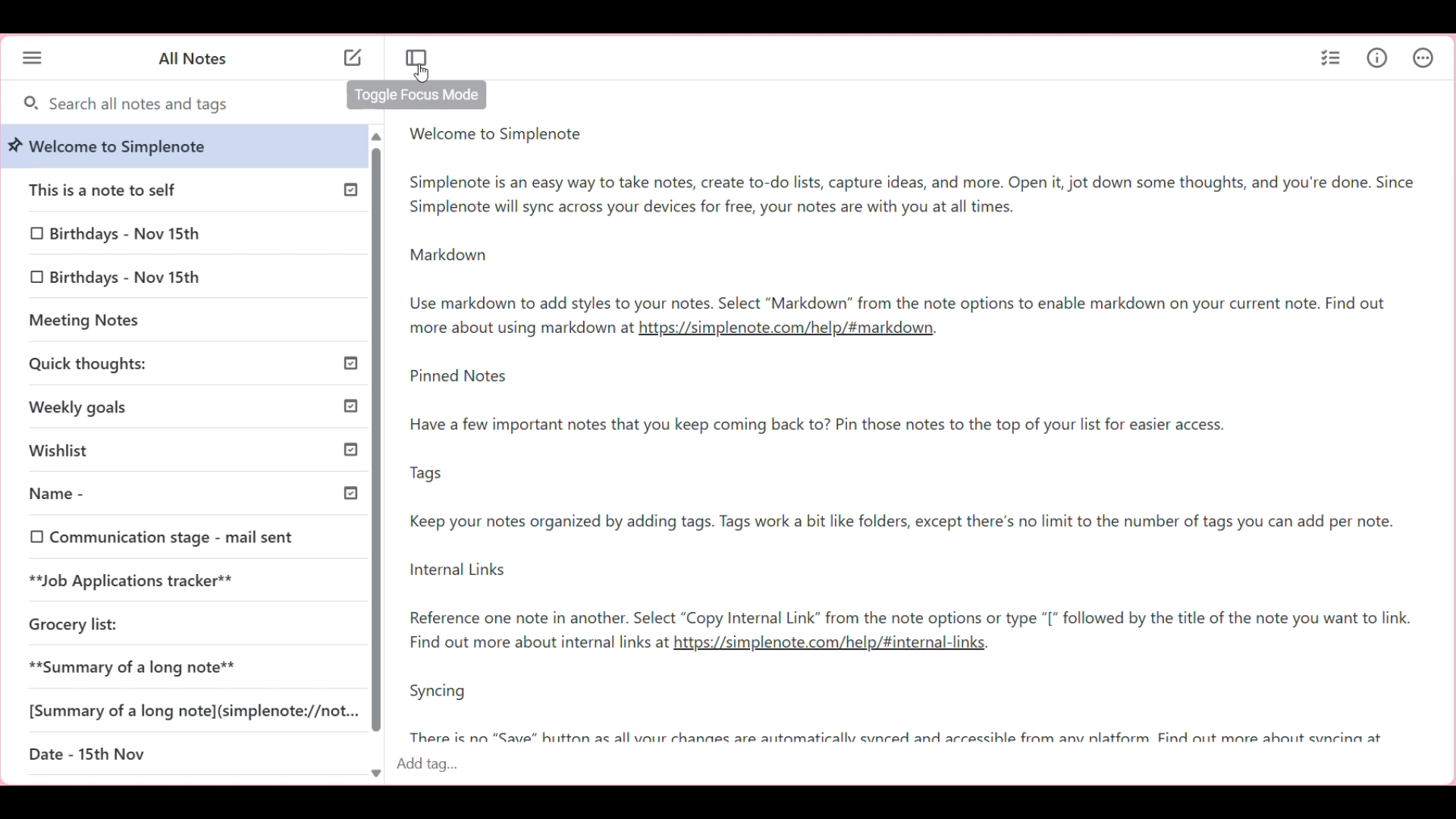  Describe the element at coordinates (1423, 56) in the screenshot. I see `Actions` at that location.